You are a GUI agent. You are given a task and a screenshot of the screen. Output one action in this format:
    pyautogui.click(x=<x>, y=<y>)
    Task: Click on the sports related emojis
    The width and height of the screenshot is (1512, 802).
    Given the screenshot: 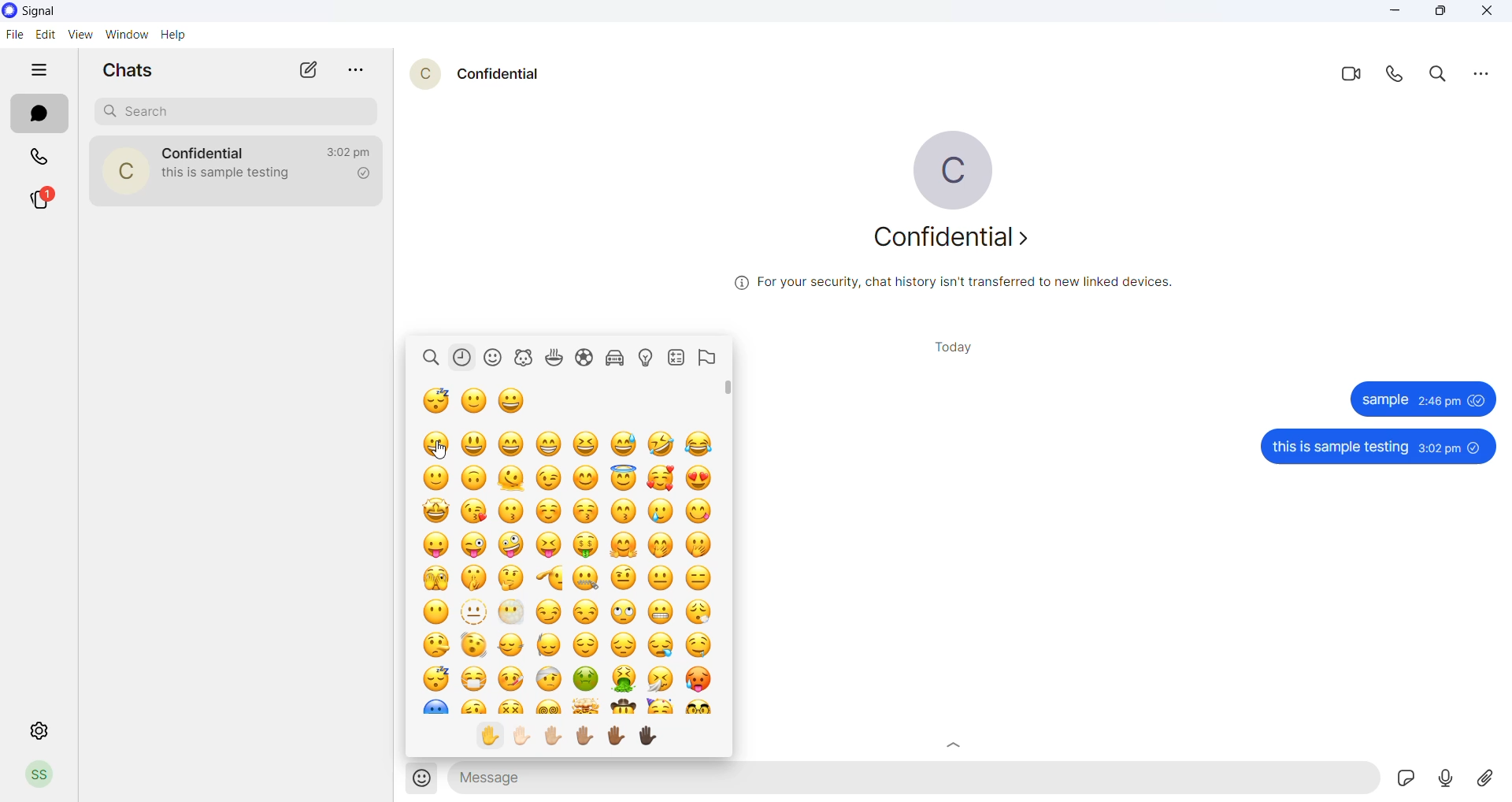 What is the action you would take?
    pyautogui.click(x=587, y=358)
    